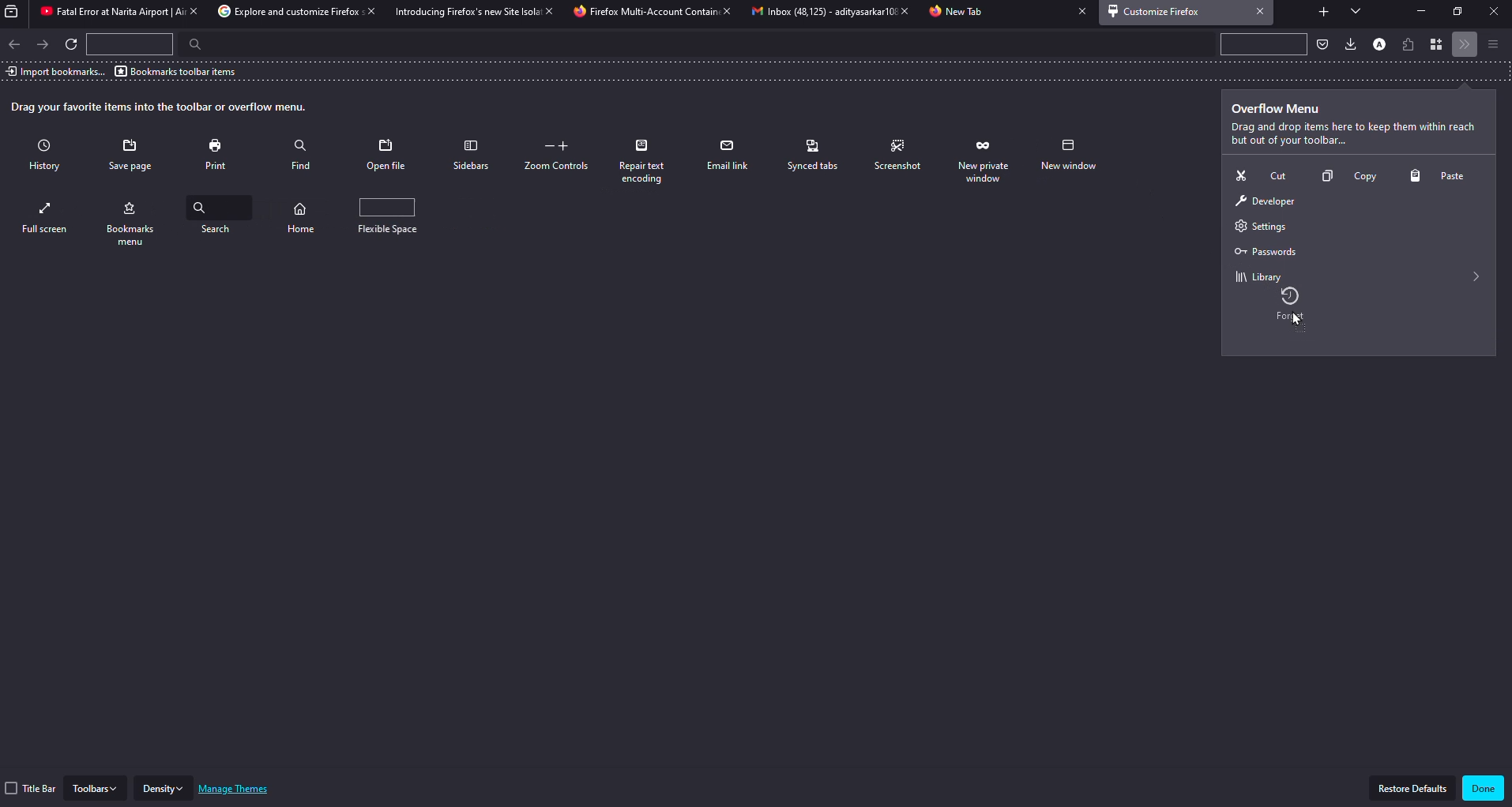  I want to click on mouse up, so click(1296, 310).